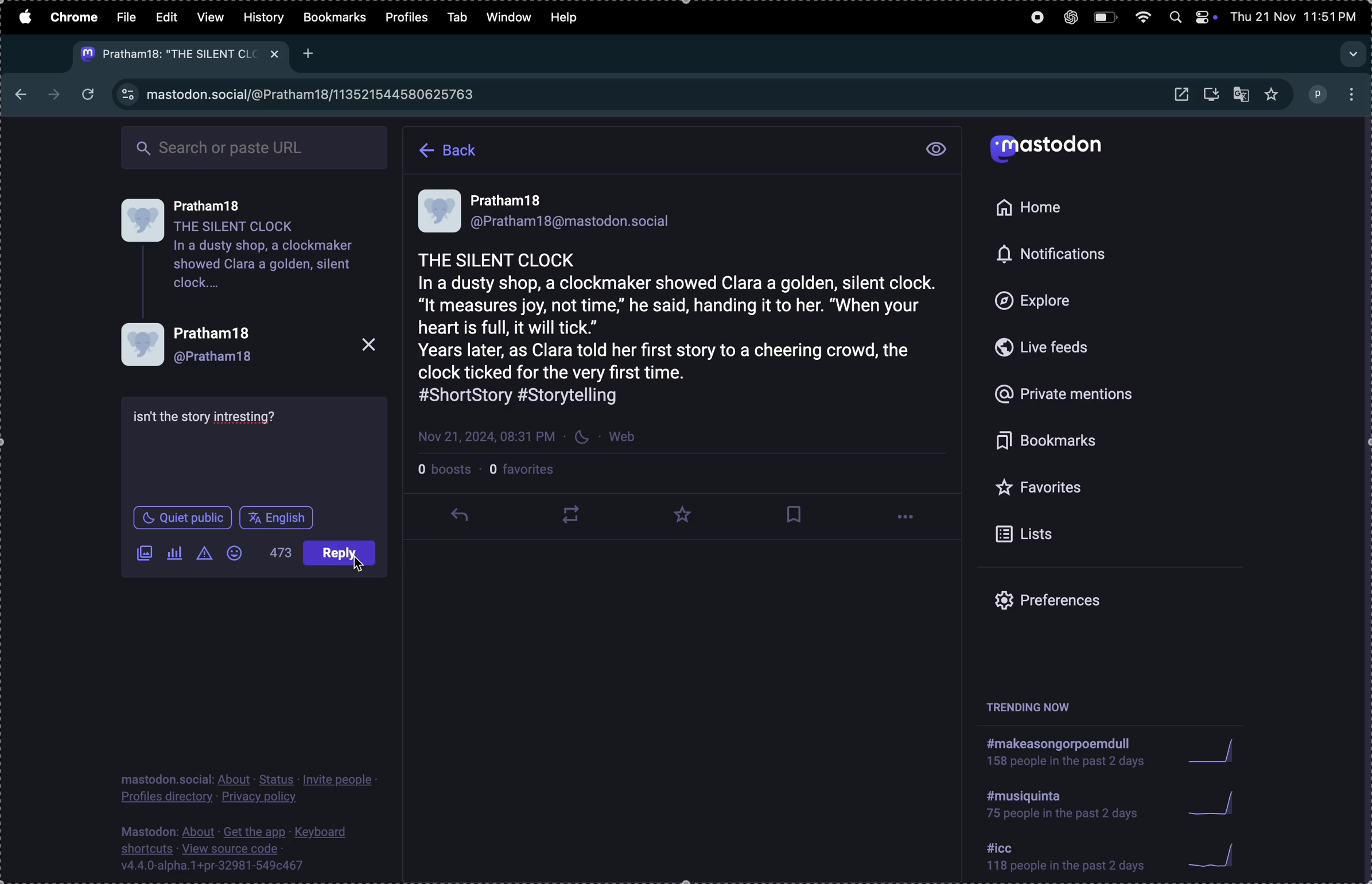 The image size is (1372, 884). What do you see at coordinates (936, 149) in the screenshot?
I see `view` at bounding box center [936, 149].